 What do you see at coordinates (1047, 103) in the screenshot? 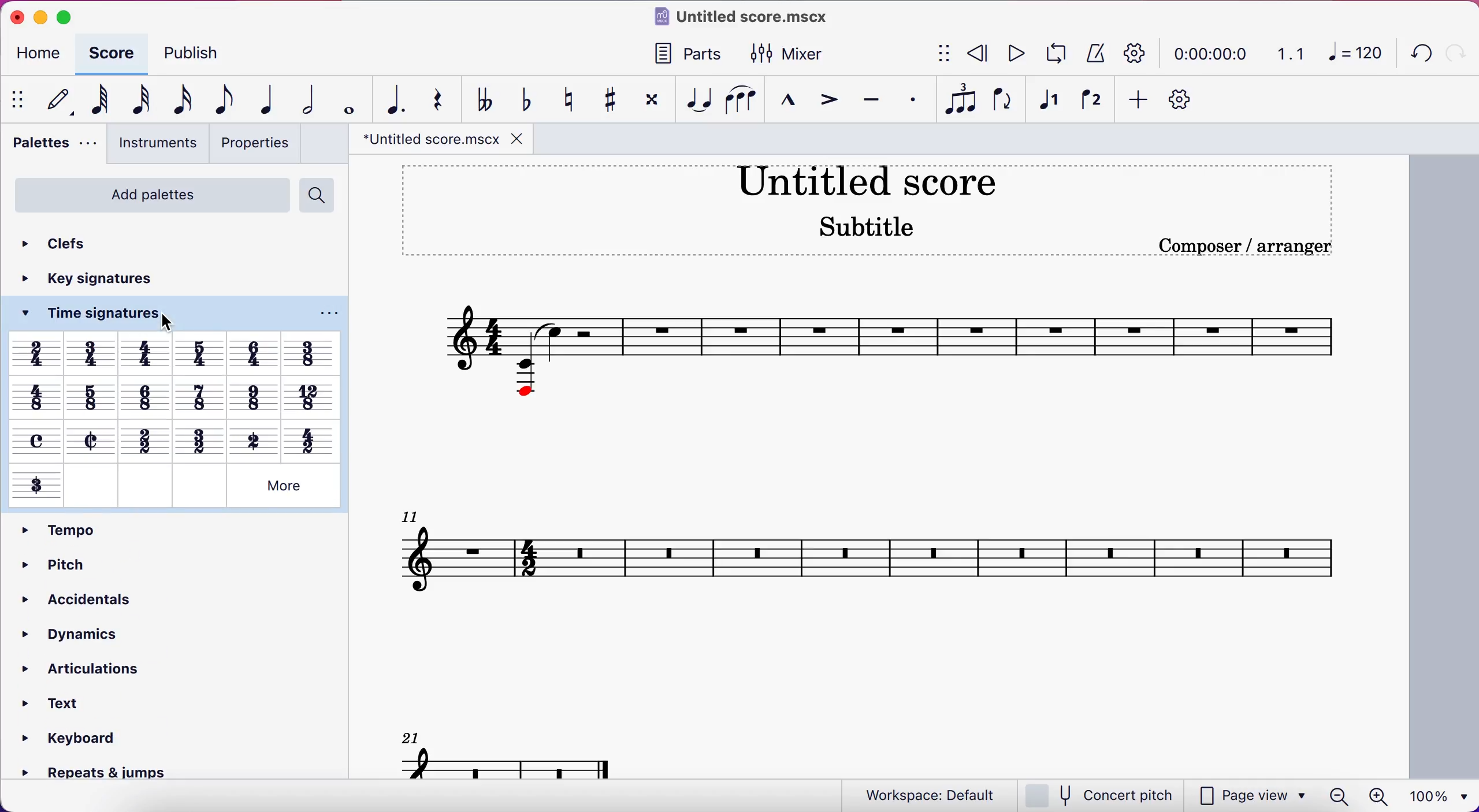
I see `voice1` at bounding box center [1047, 103].